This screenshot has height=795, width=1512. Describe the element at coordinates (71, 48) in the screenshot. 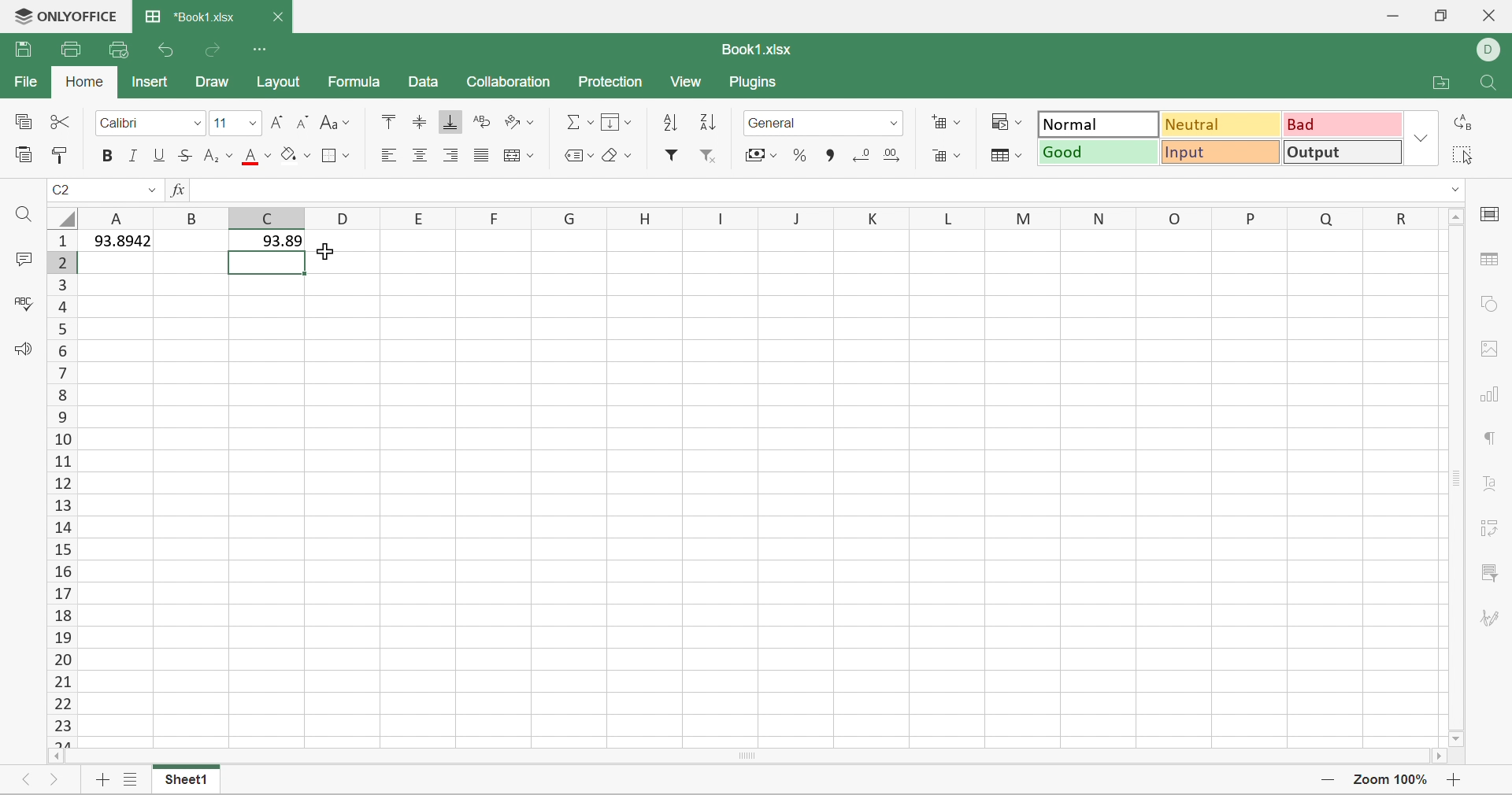

I see `Print` at that location.